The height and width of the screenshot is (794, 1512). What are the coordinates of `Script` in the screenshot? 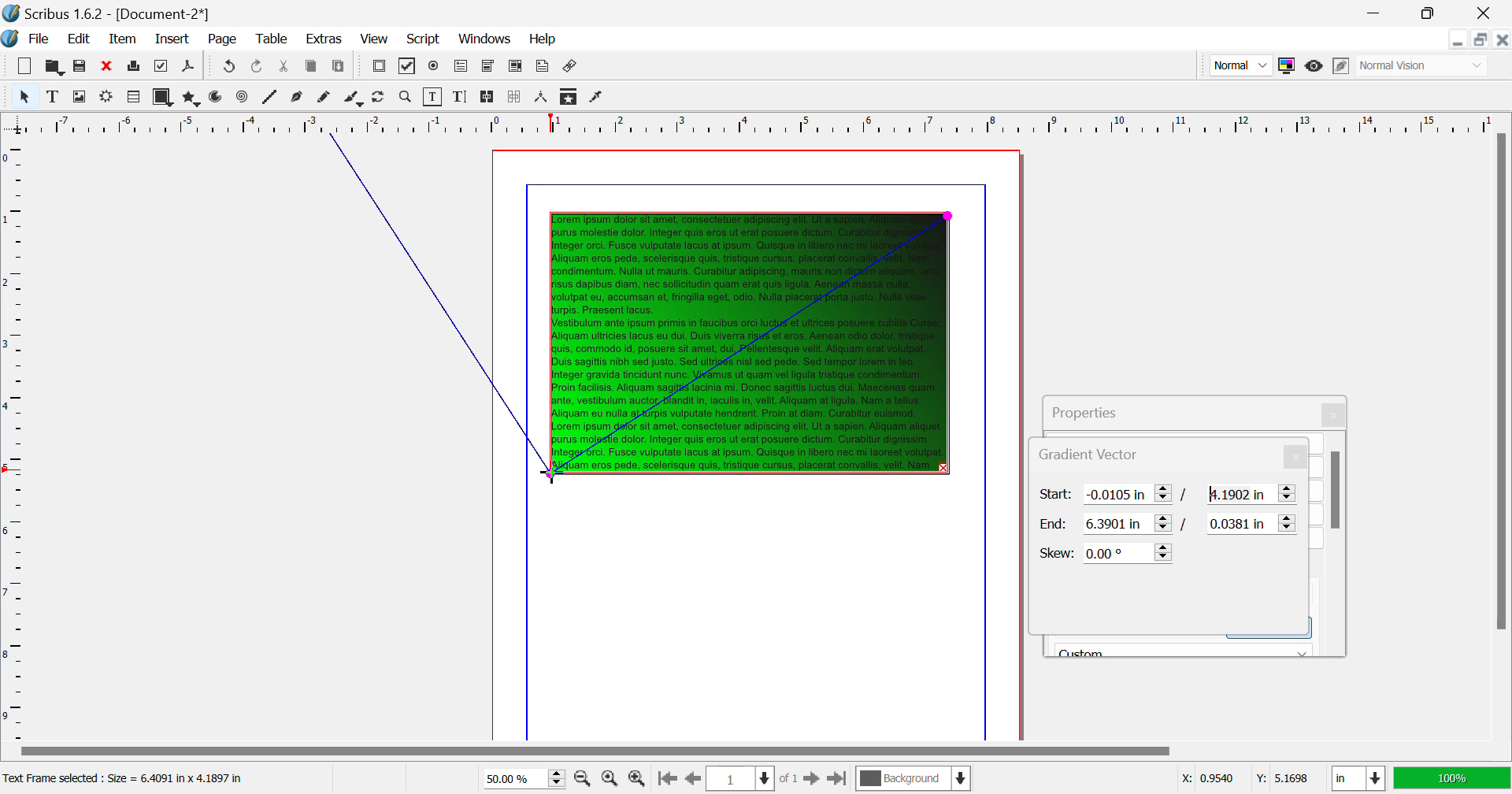 It's located at (424, 38).